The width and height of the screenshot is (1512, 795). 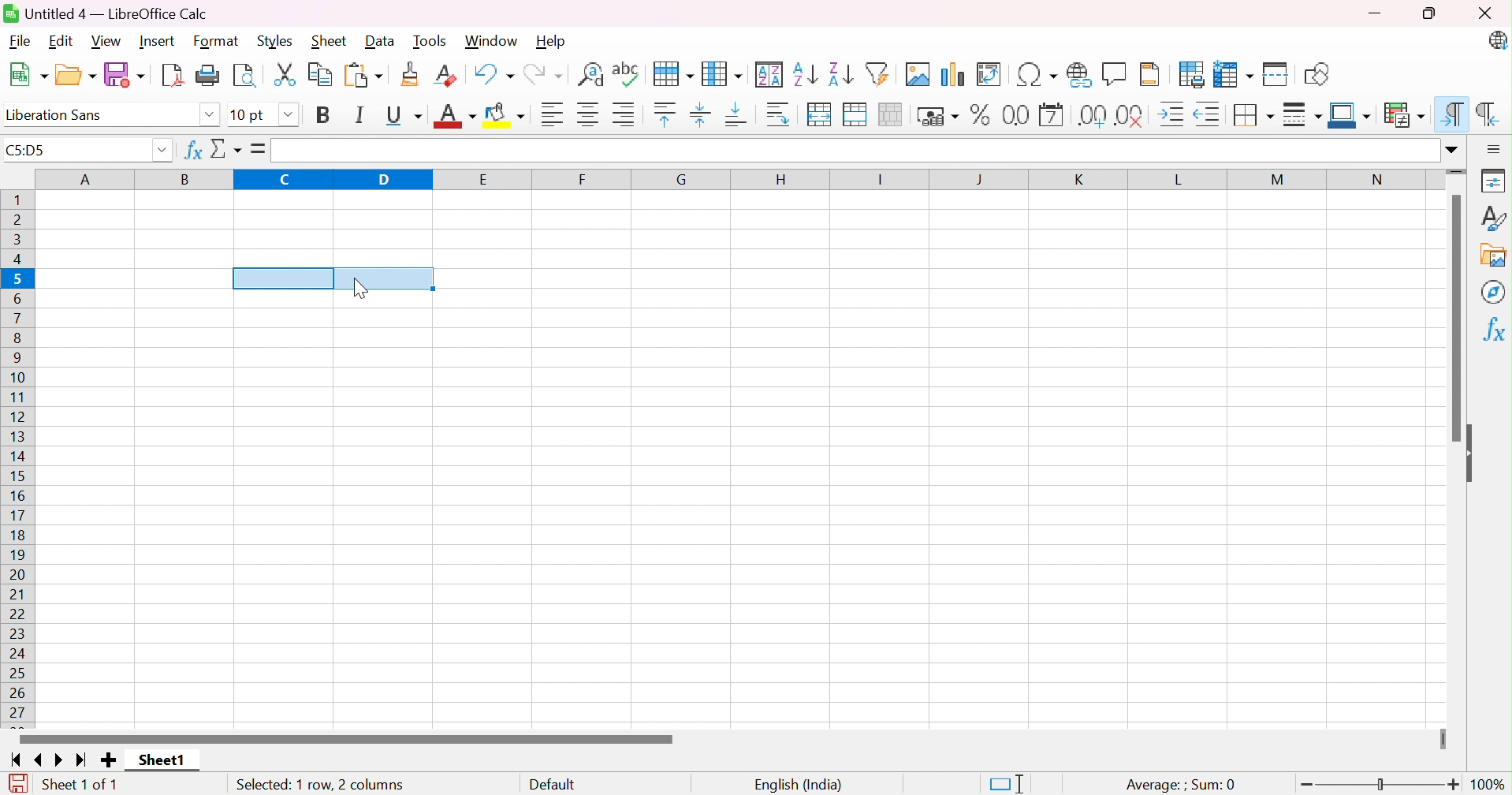 I want to click on Help, so click(x=553, y=42).